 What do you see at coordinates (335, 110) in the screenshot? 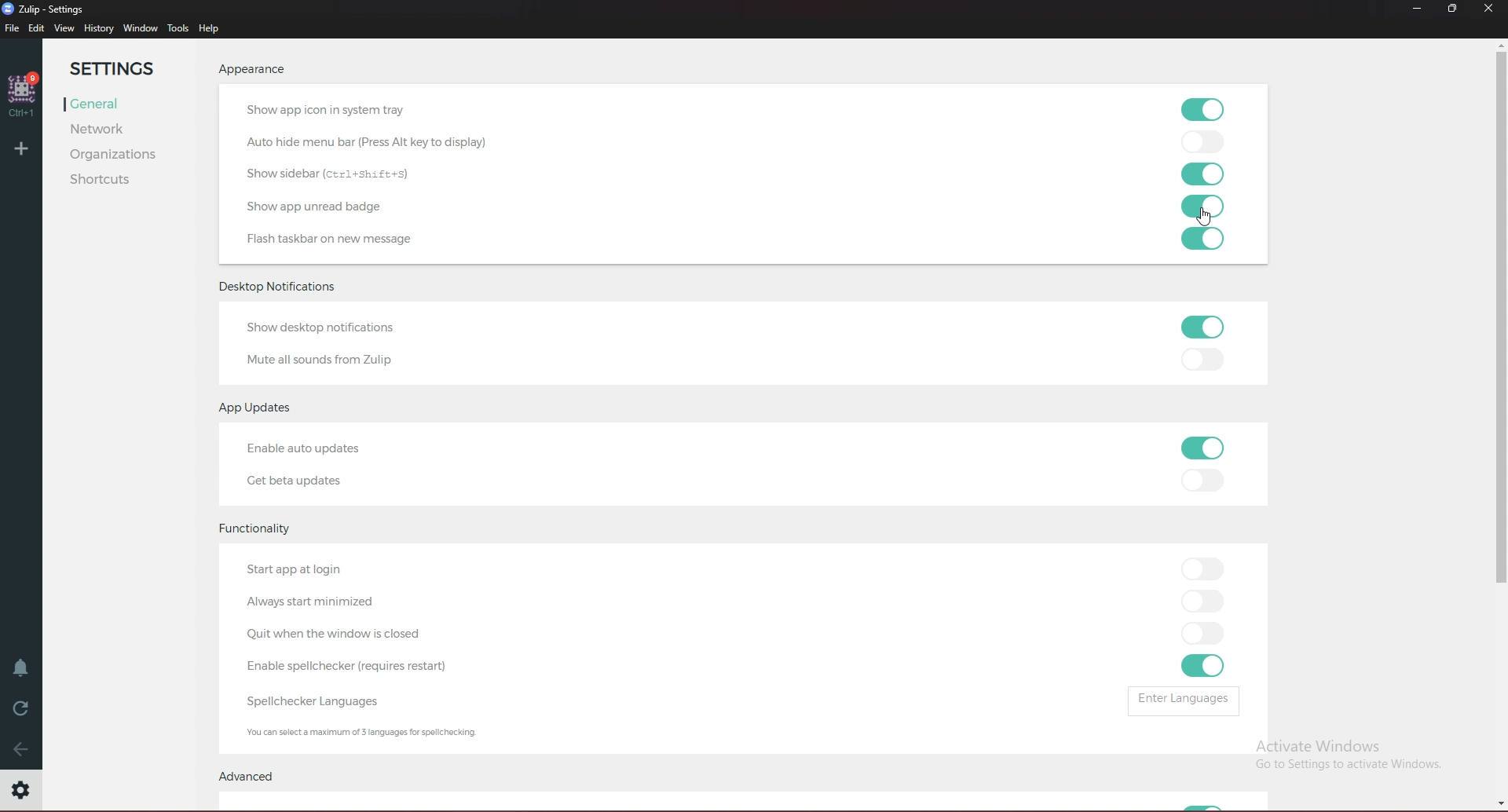
I see `show app icon in system tray` at bounding box center [335, 110].